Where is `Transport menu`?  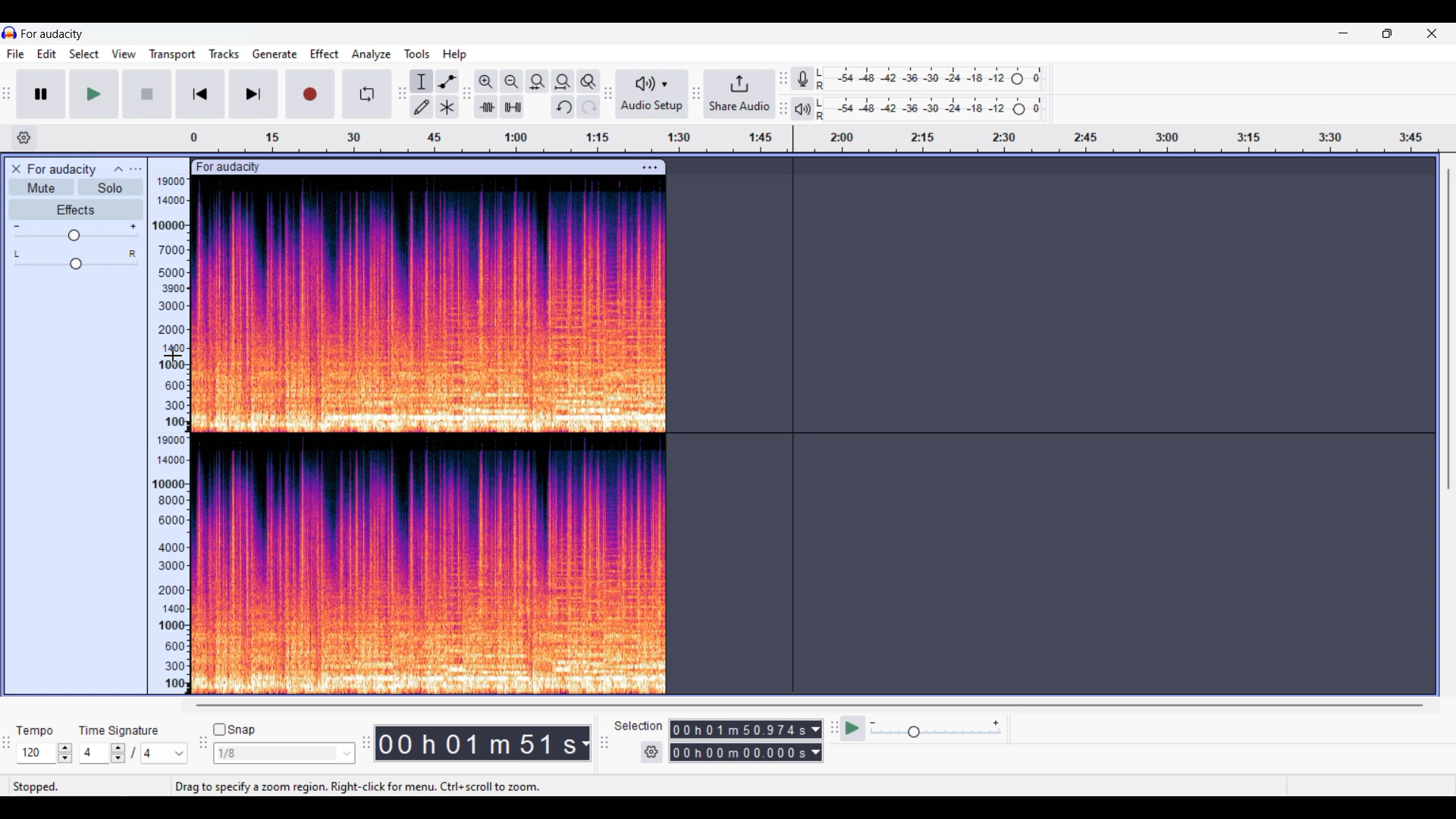 Transport menu is located at coordinates (171, 54).